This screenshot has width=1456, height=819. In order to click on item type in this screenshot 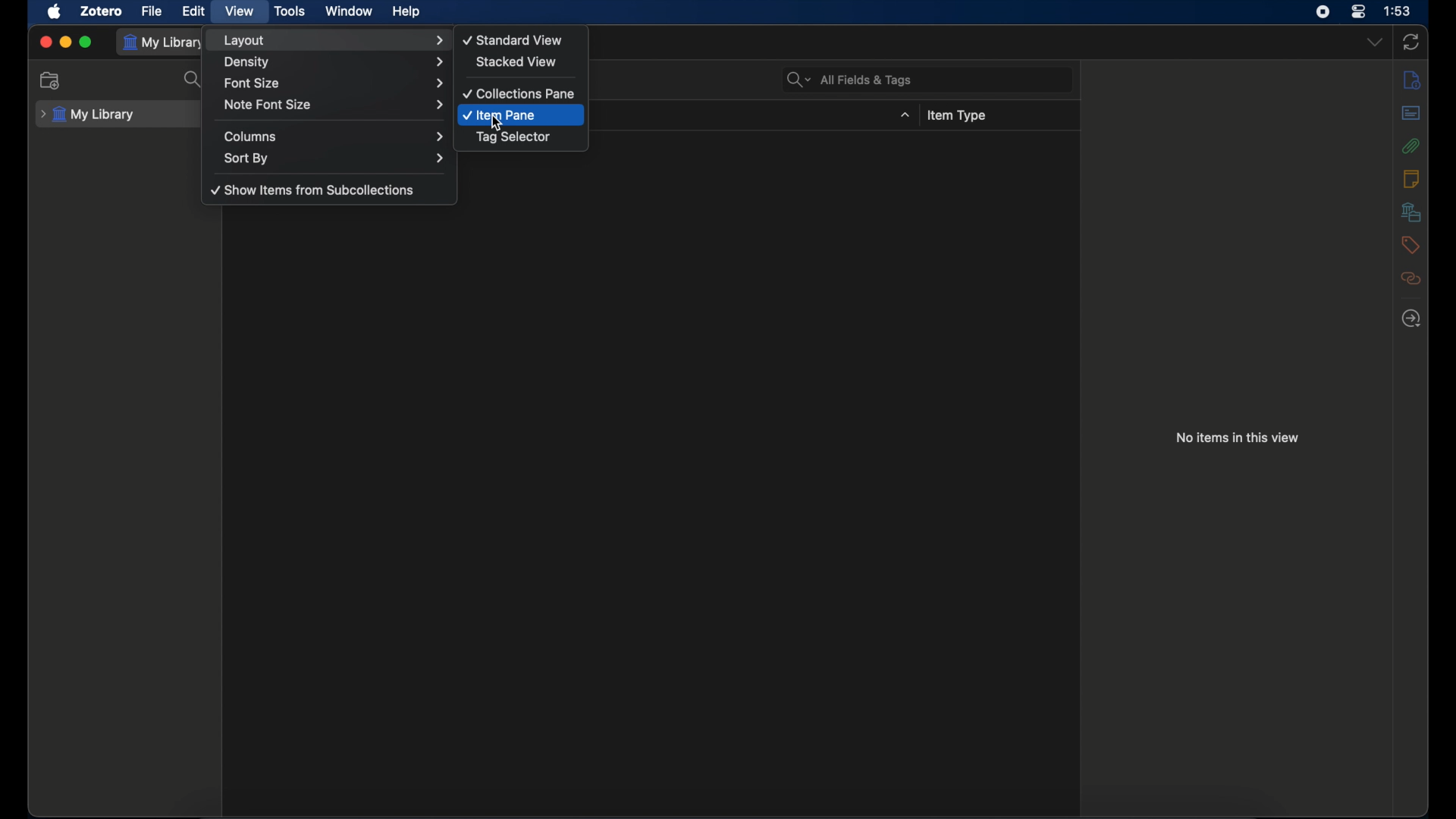, I will do `click(956, 116)`.